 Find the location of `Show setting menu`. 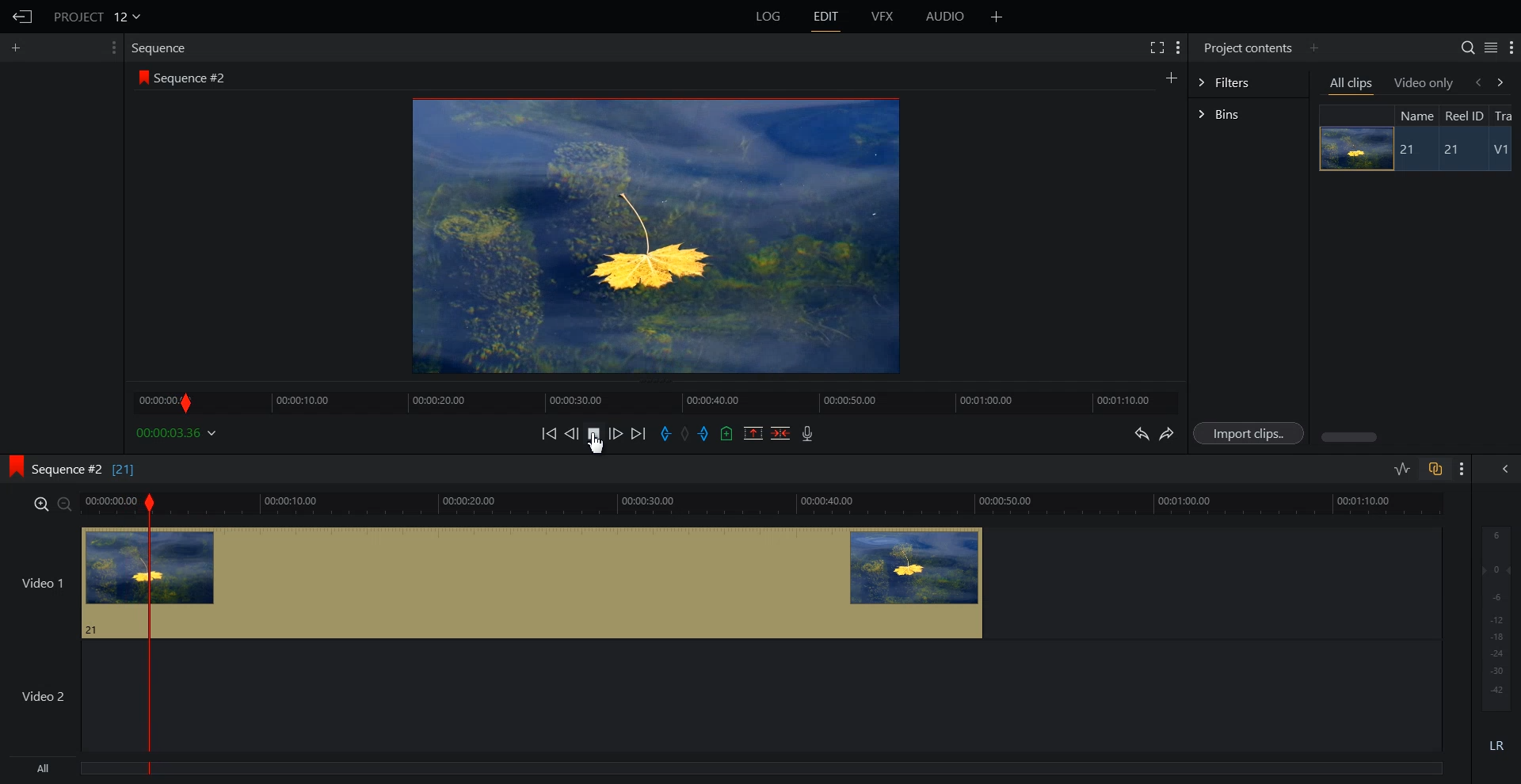

Show setting menu is located at coordinates (1511, 48).